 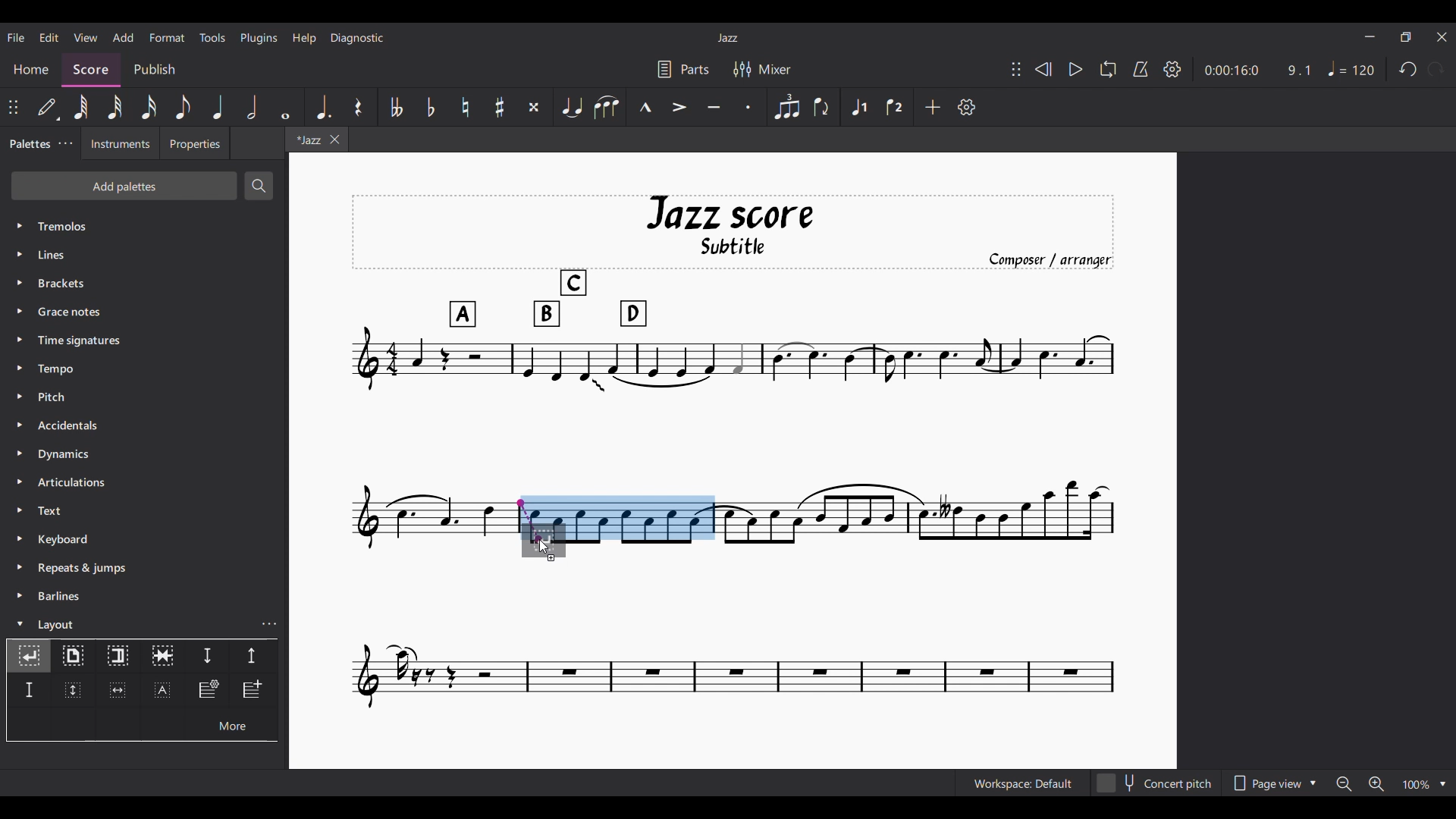 What do you see at coordinates (335, 140) in the screenshot?
I see `Close tab` at bounding box center [335, 140].